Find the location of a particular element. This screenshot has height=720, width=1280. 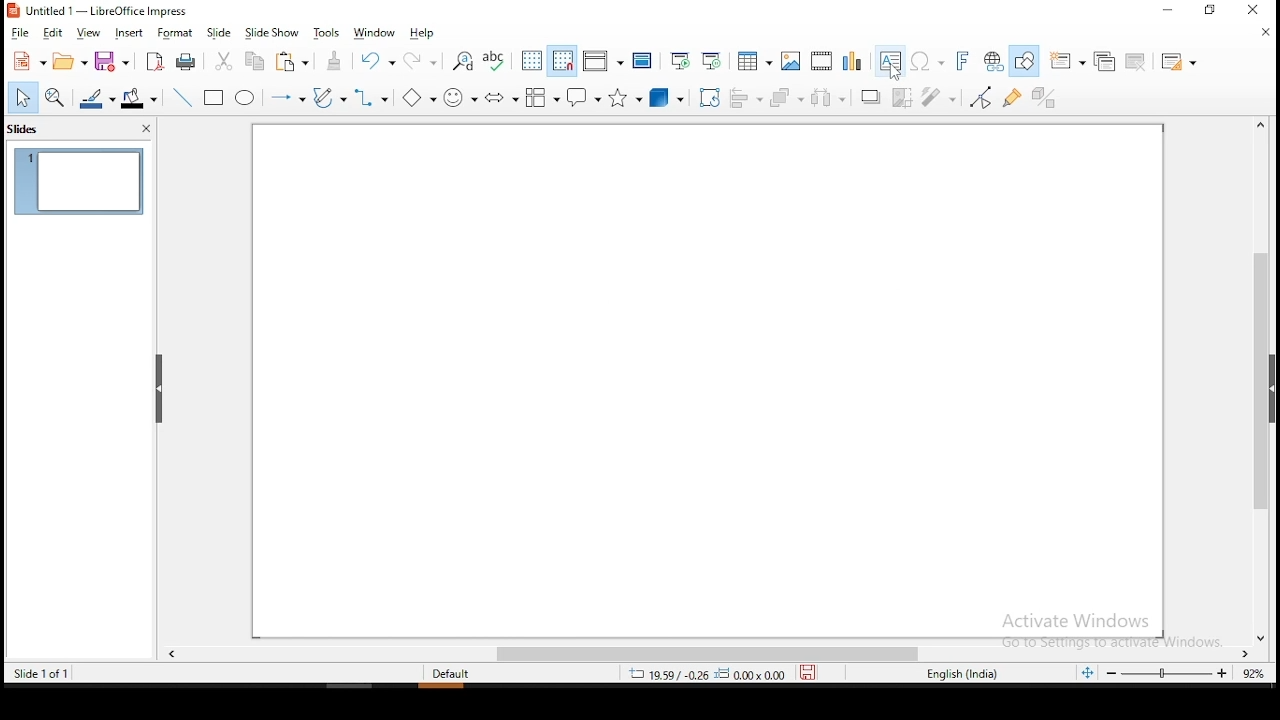

insert hyperlink is located at coordinates (994, 61).